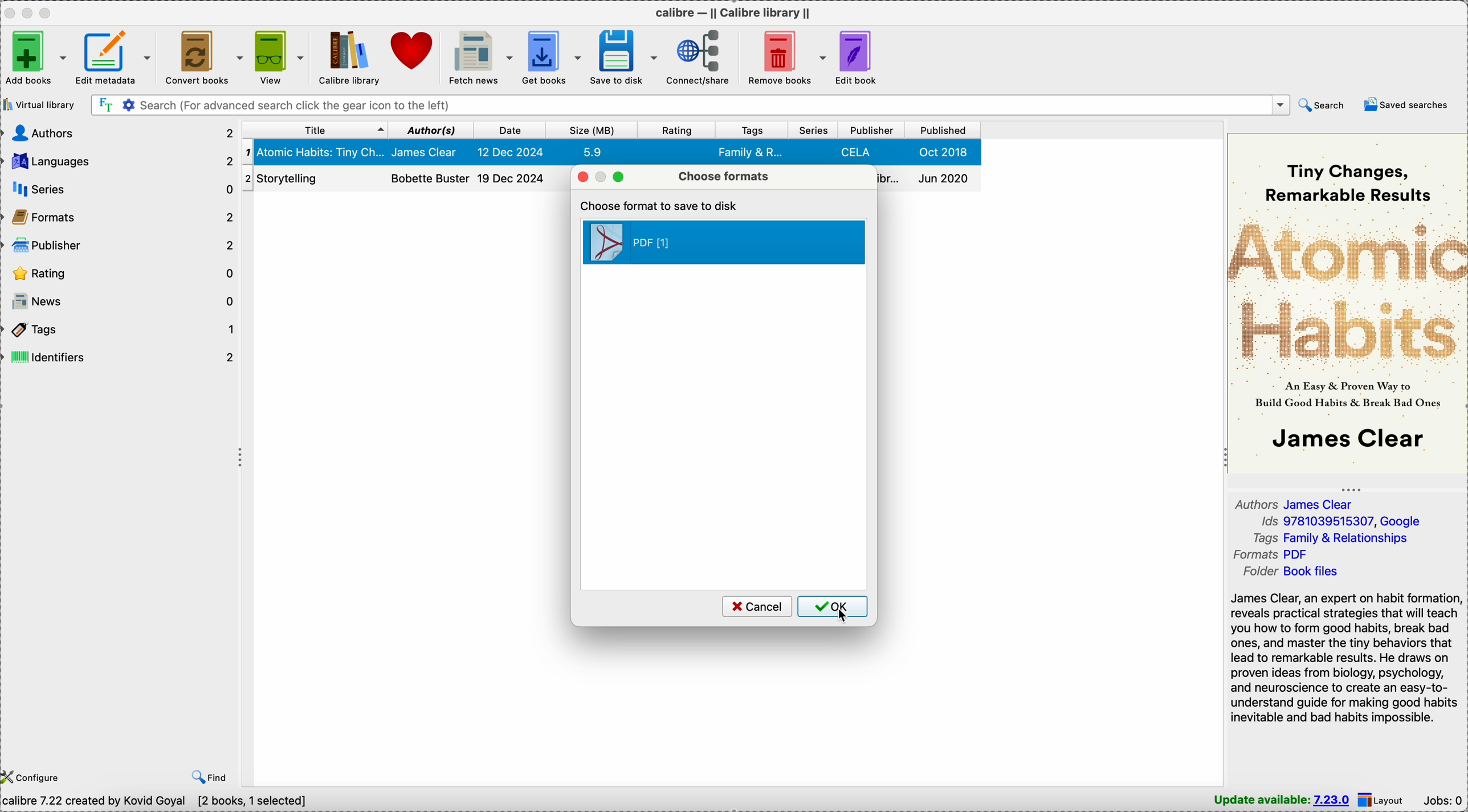  What do you see at coordinates (278, 56) in the screenshot?
I see `view` at bounding box center [278, 56].